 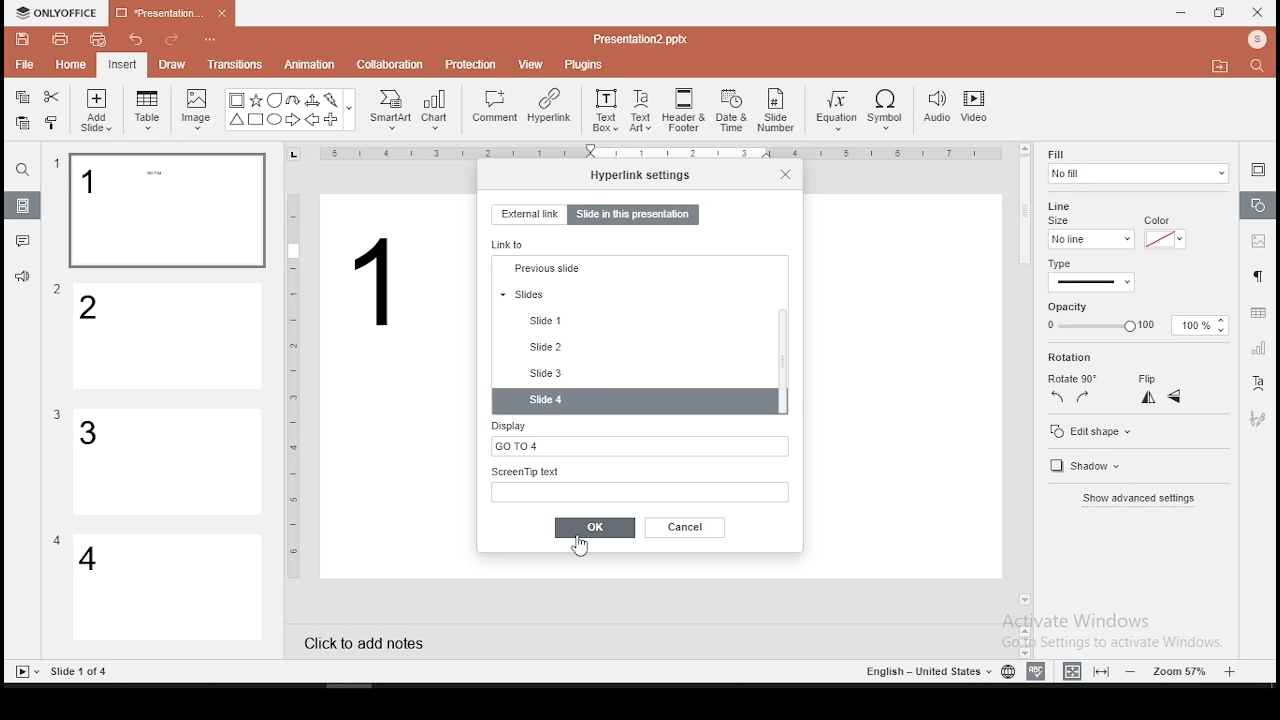 I want to click on , so click(x=378, y=283).